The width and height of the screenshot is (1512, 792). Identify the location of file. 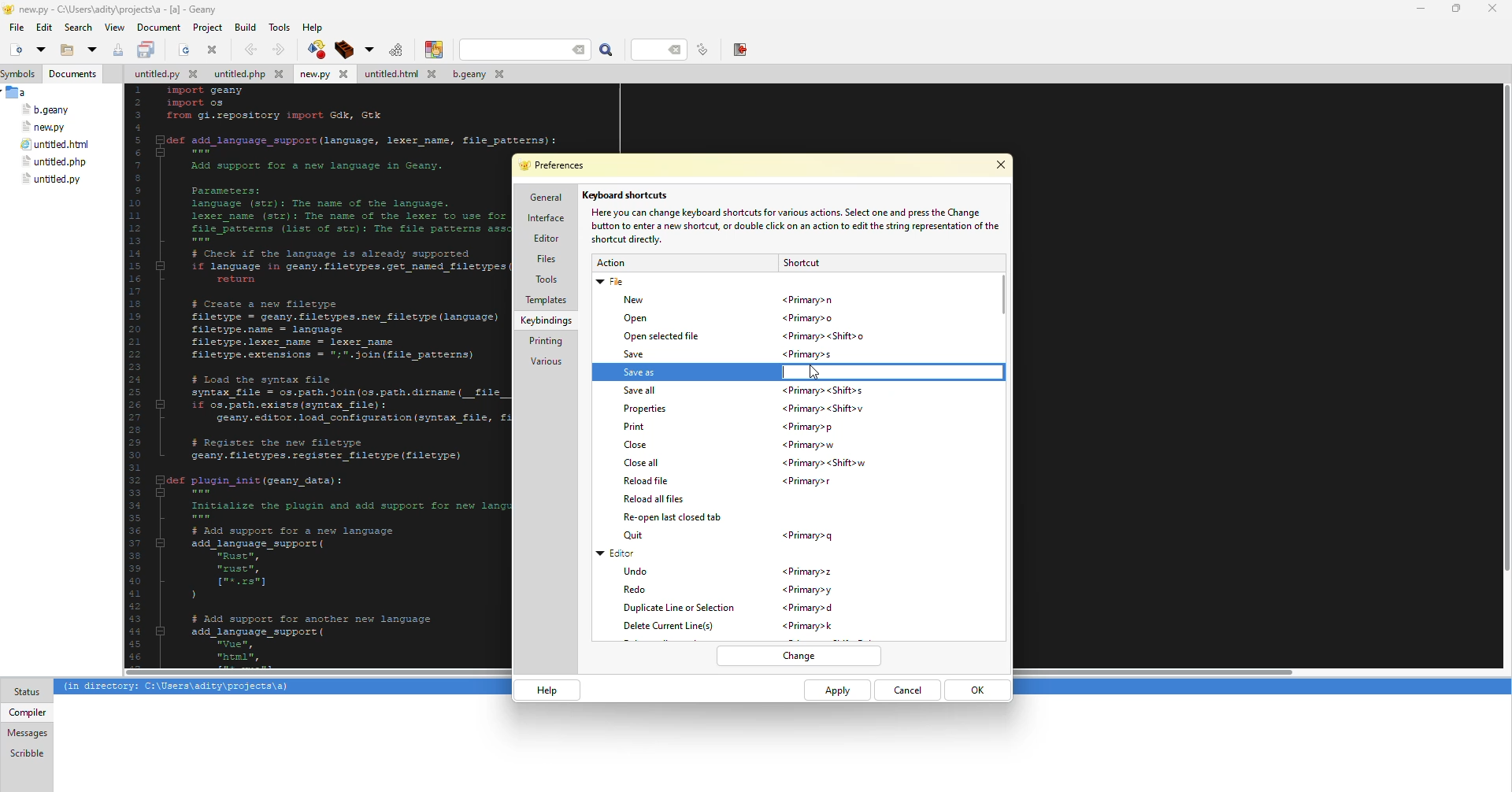
(46, 110).